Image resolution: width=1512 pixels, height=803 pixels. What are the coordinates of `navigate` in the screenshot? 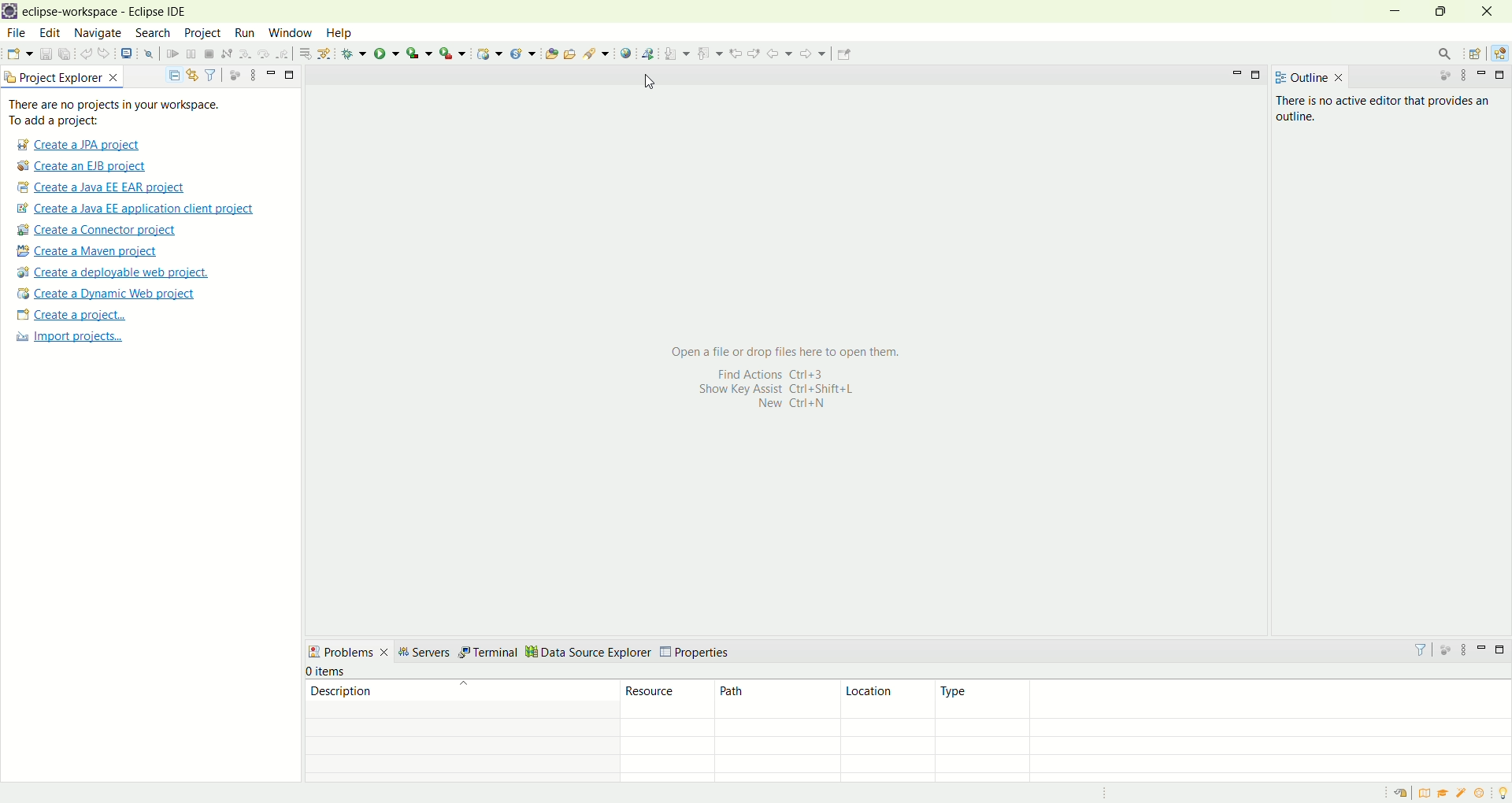 It's located at (98, 34).